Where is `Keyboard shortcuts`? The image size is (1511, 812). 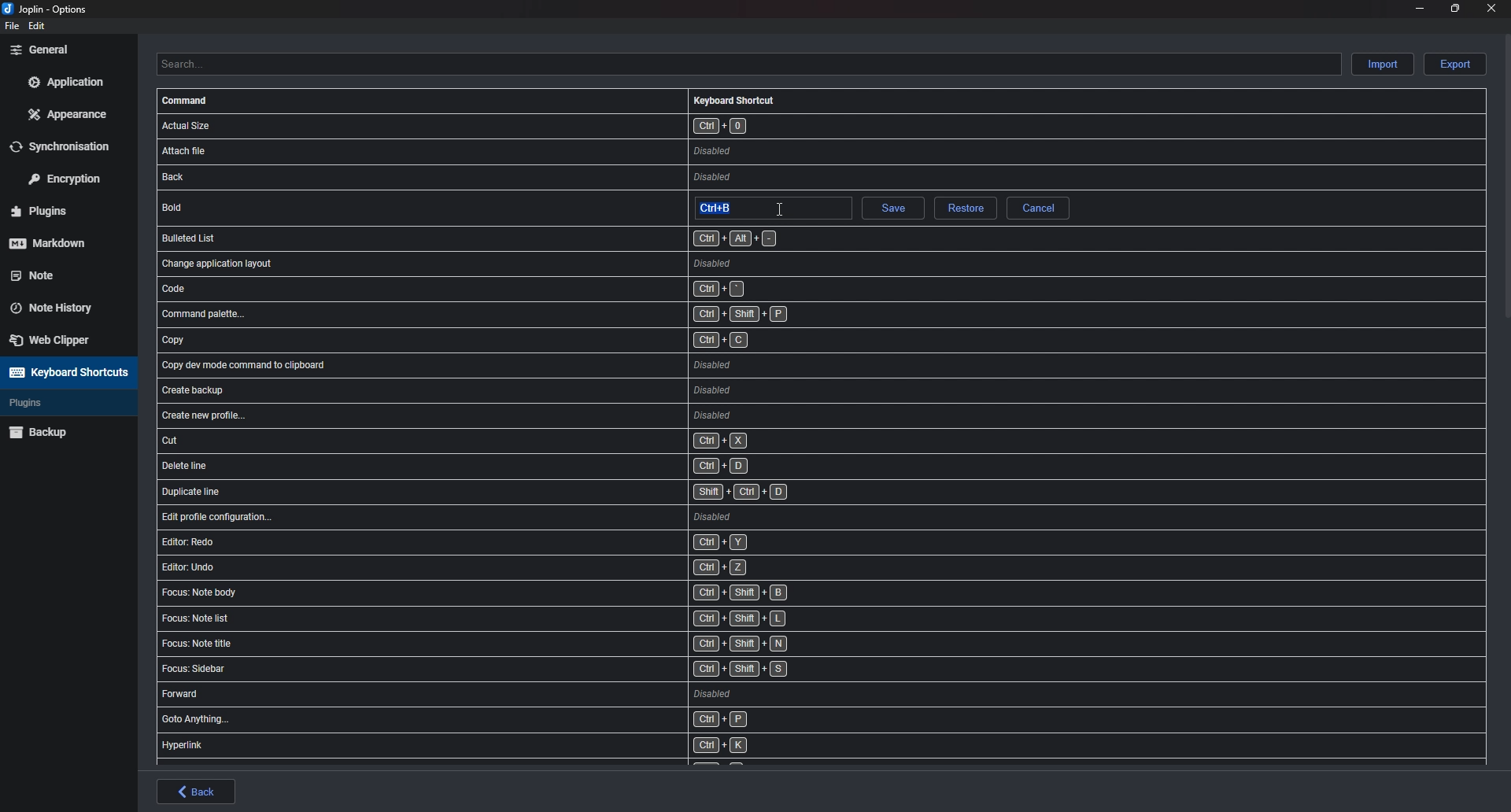 Keyboard shortcuts is located at coordinates (66, 372).